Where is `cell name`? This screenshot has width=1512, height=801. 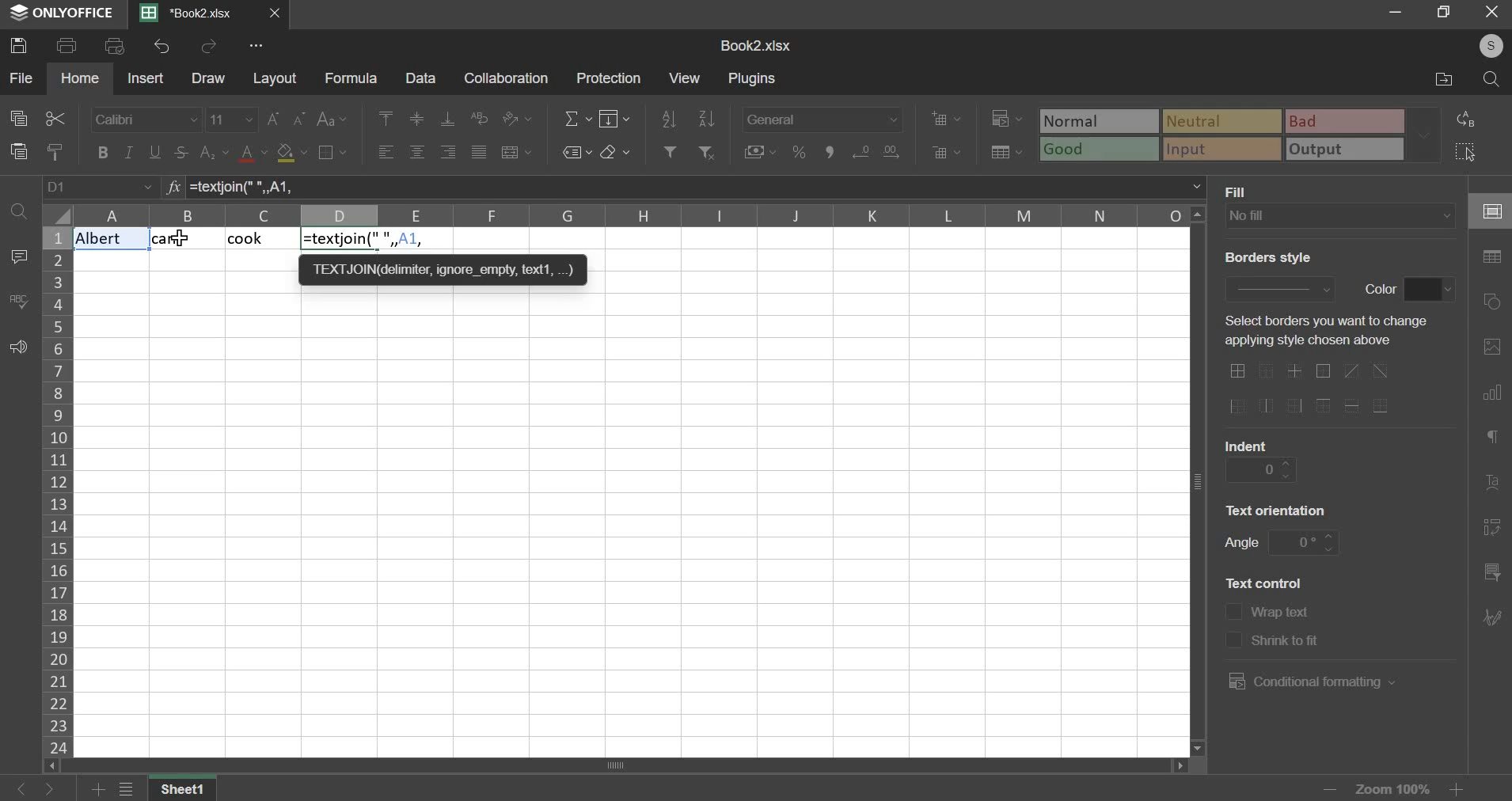
cell name is located at coordinates (101, 188).